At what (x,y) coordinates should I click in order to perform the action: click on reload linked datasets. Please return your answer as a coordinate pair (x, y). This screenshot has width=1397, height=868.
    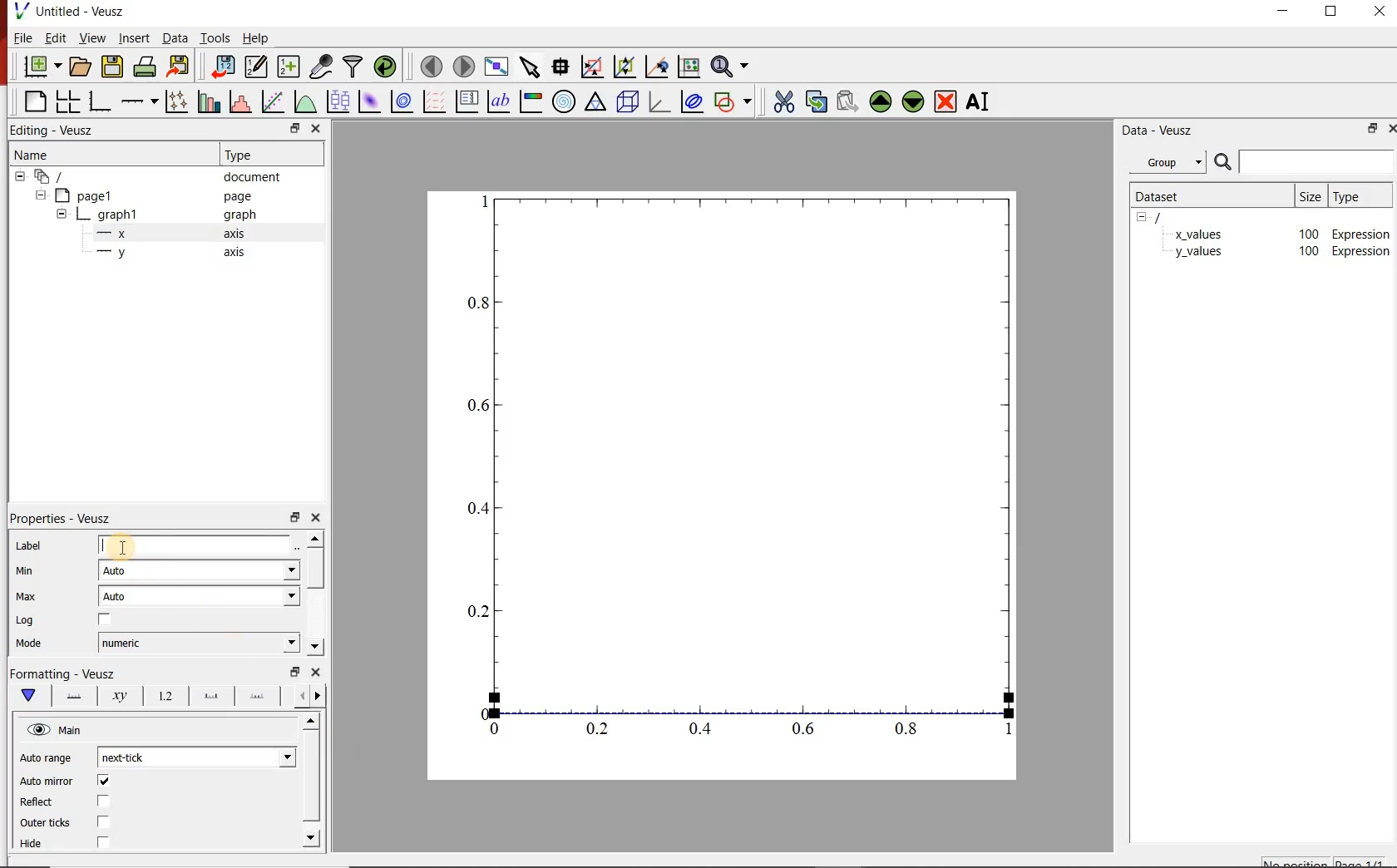
    Looking at the image, I should click on (383, 67).